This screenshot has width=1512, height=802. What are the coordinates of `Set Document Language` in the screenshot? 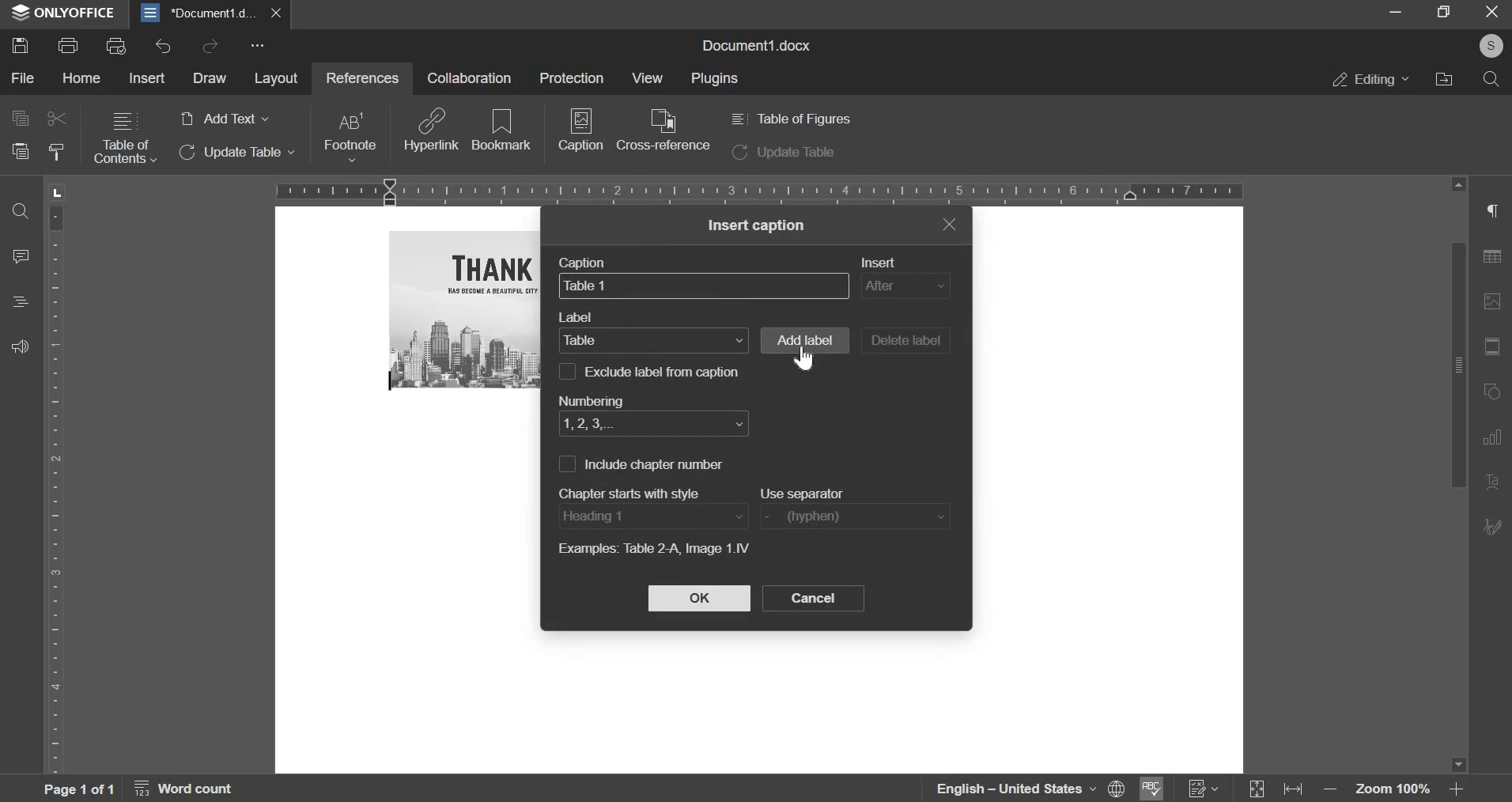 It's located at (1117, 788).